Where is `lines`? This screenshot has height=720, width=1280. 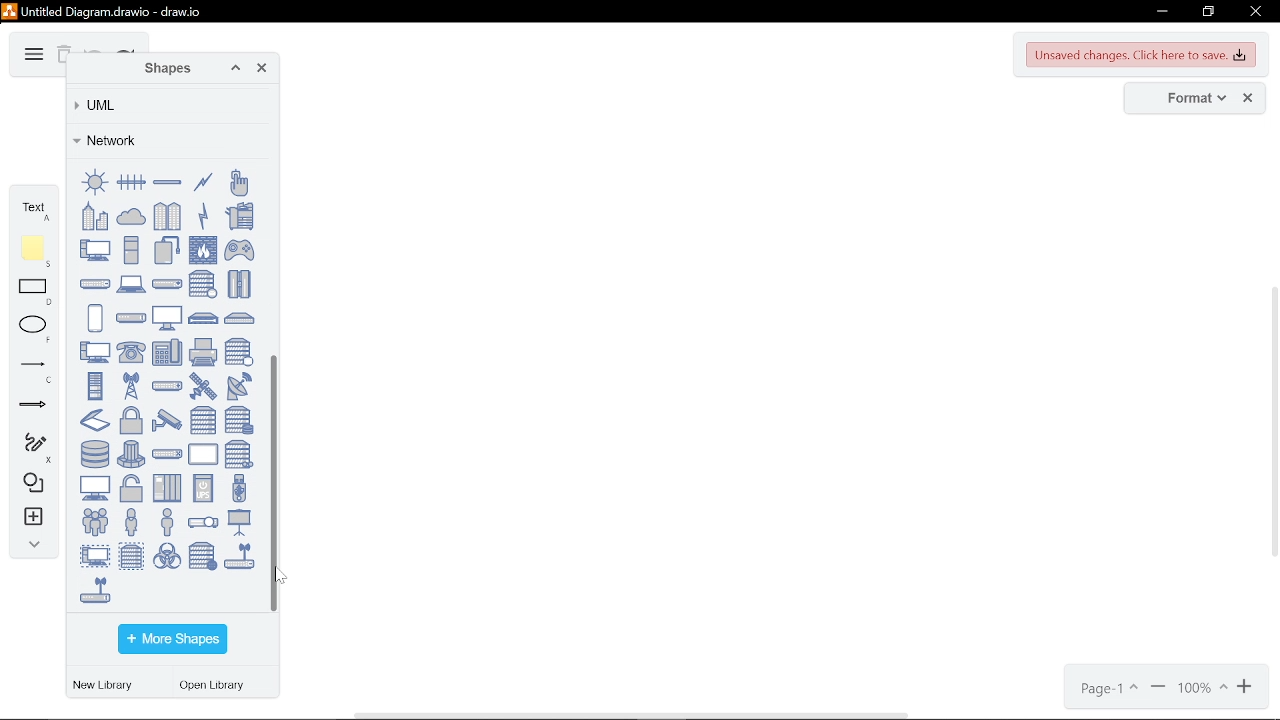 lines is located at coordinates (33, 371).